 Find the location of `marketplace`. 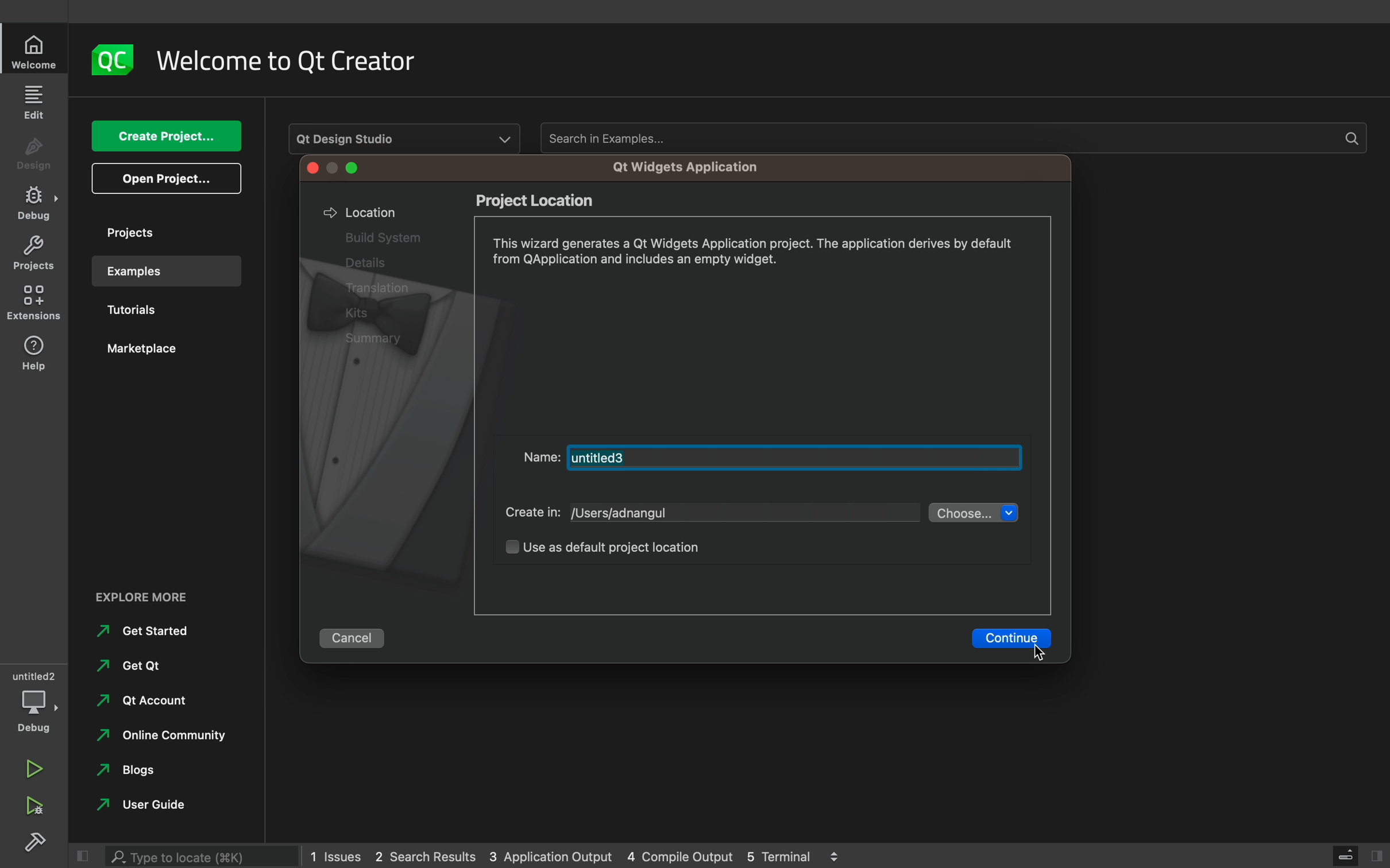

marketplace is located at coordinates (159, 354).